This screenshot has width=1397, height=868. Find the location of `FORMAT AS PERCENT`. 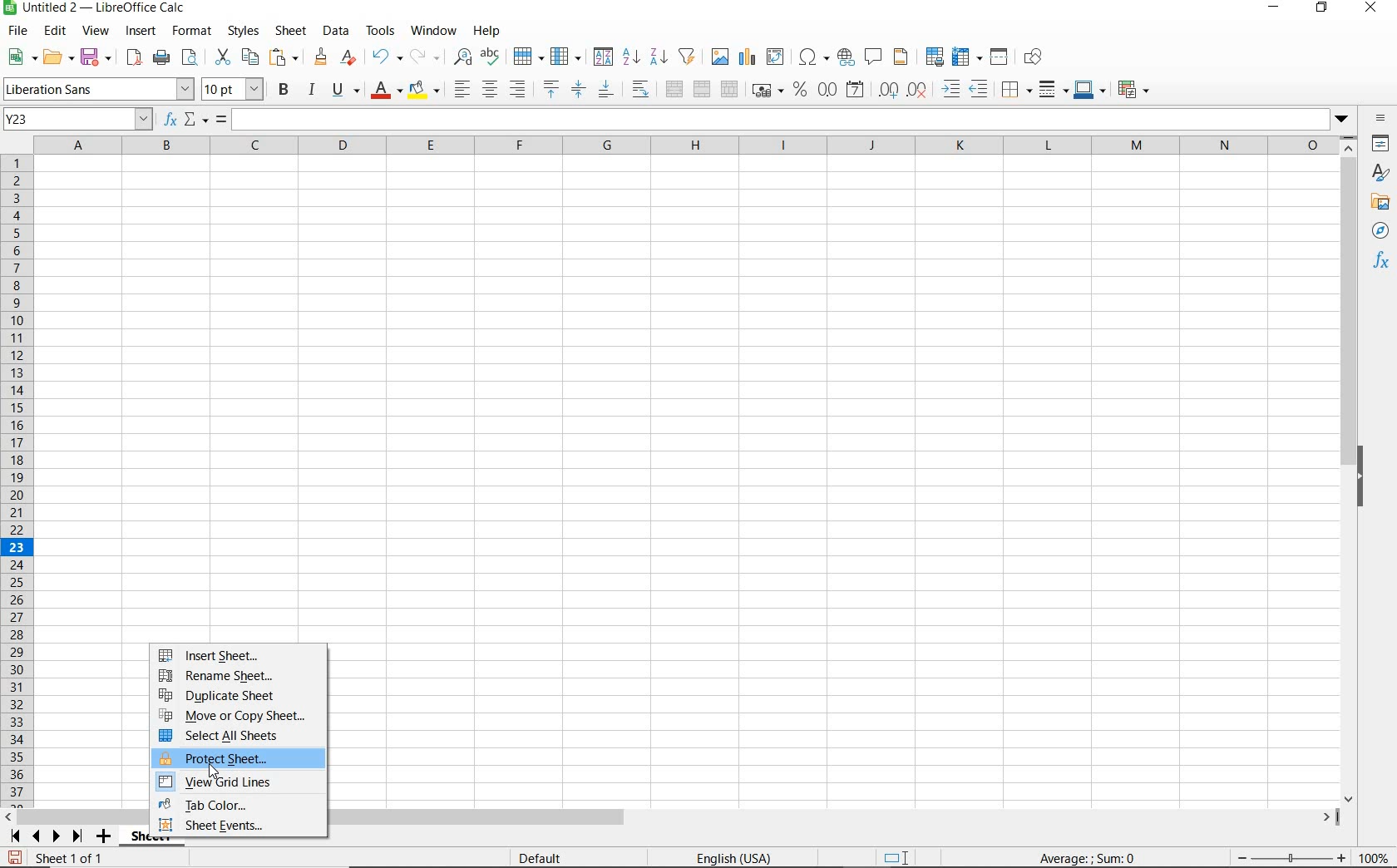

FORMAT AS PERCENT is located at coordinates (800, 91).